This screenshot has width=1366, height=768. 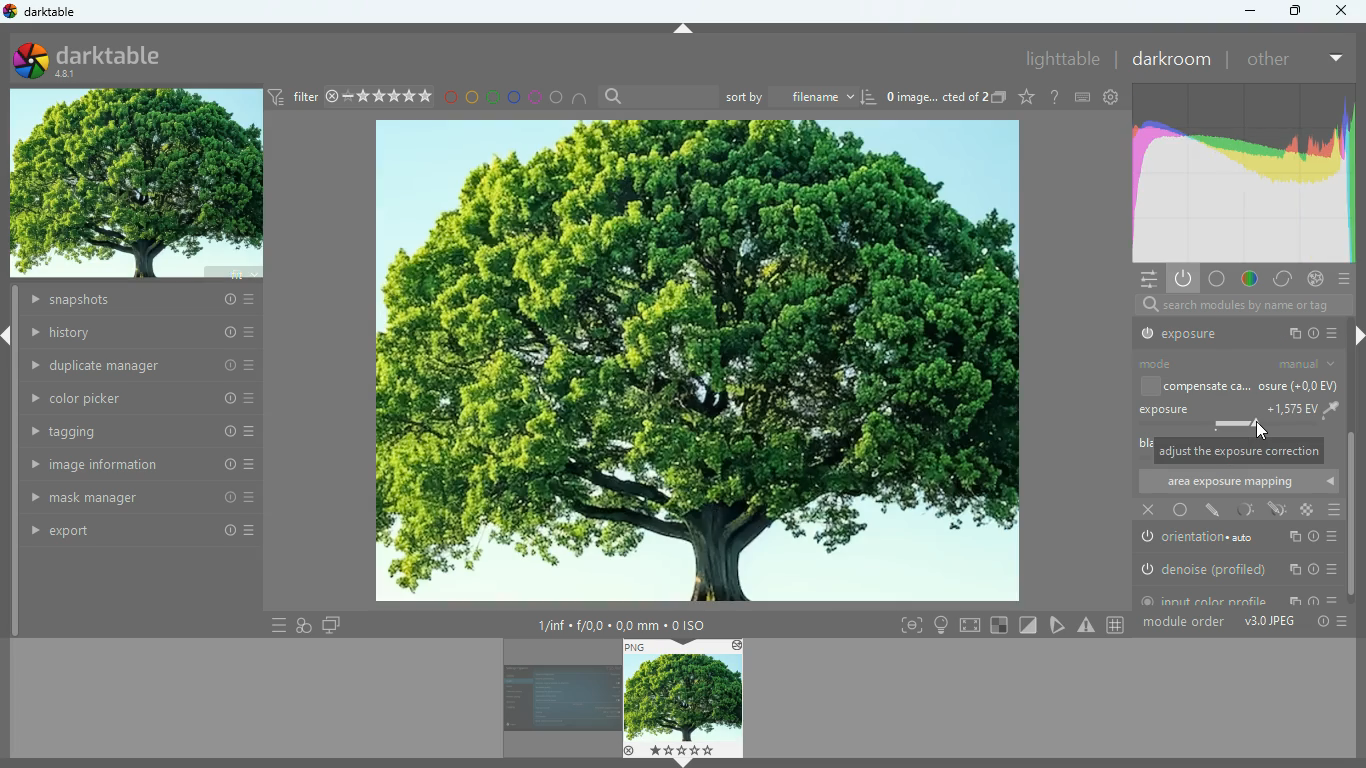 What do you see at coordinates (305, 624) in the screenshot?
I see `overlap` at bounding box center [305, 624].